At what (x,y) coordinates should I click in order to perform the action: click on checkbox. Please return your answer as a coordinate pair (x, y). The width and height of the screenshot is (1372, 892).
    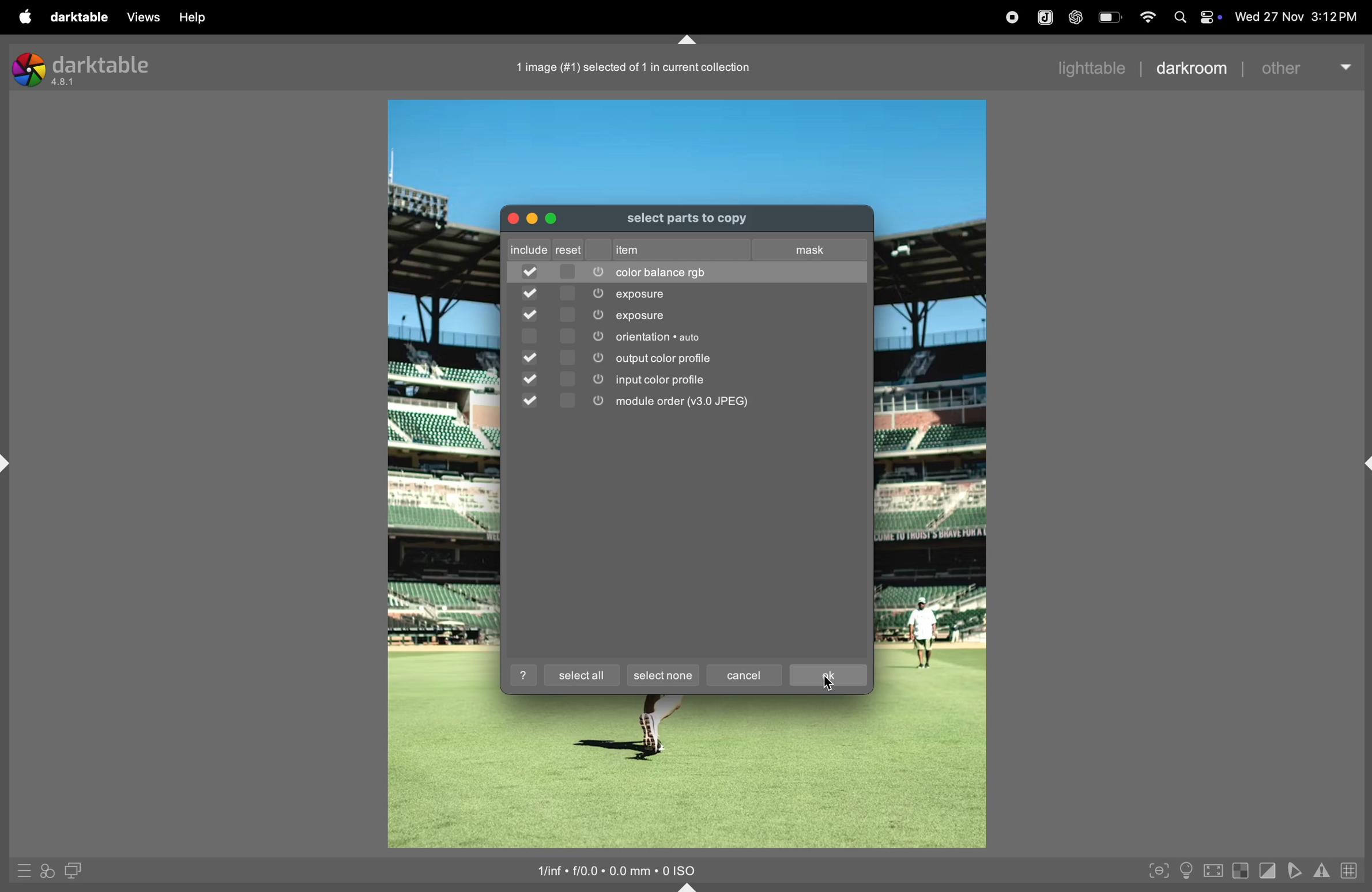
    Looking at the image, I should click on (531, 400).